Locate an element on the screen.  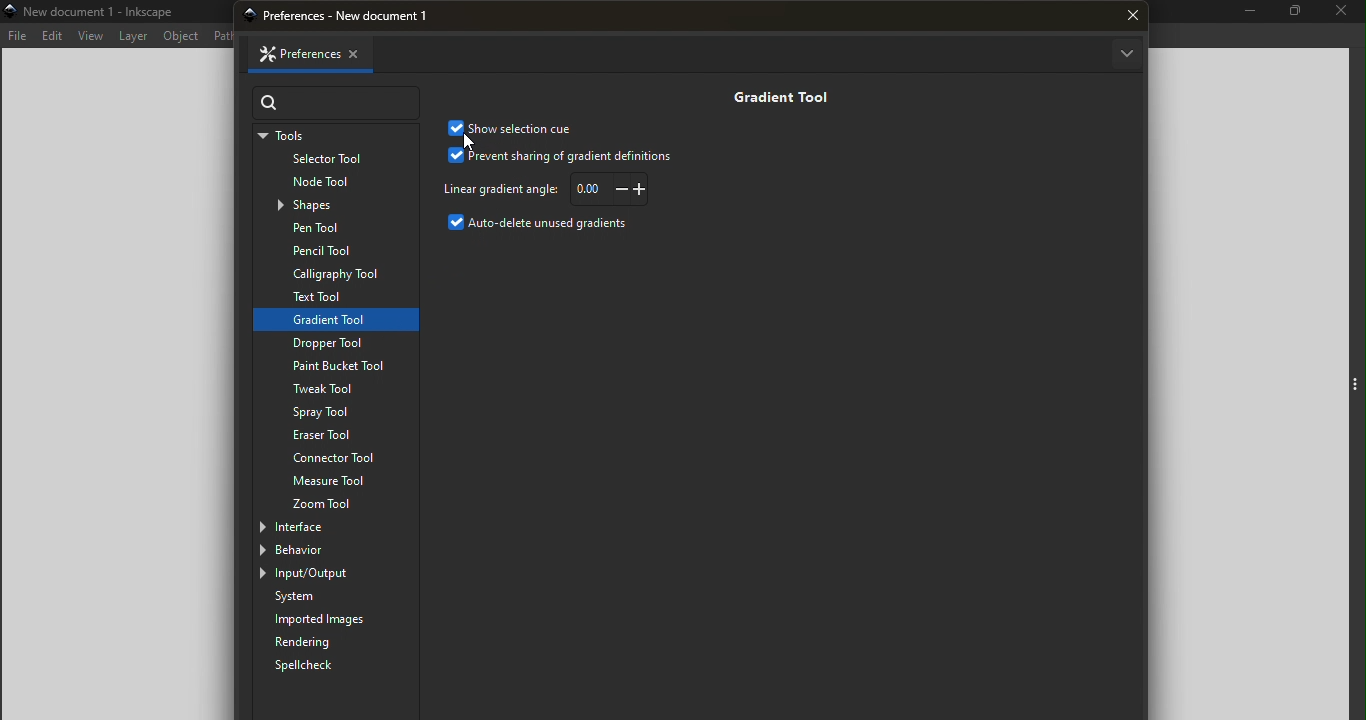
Connector tool is located at coordinates (336, 458).